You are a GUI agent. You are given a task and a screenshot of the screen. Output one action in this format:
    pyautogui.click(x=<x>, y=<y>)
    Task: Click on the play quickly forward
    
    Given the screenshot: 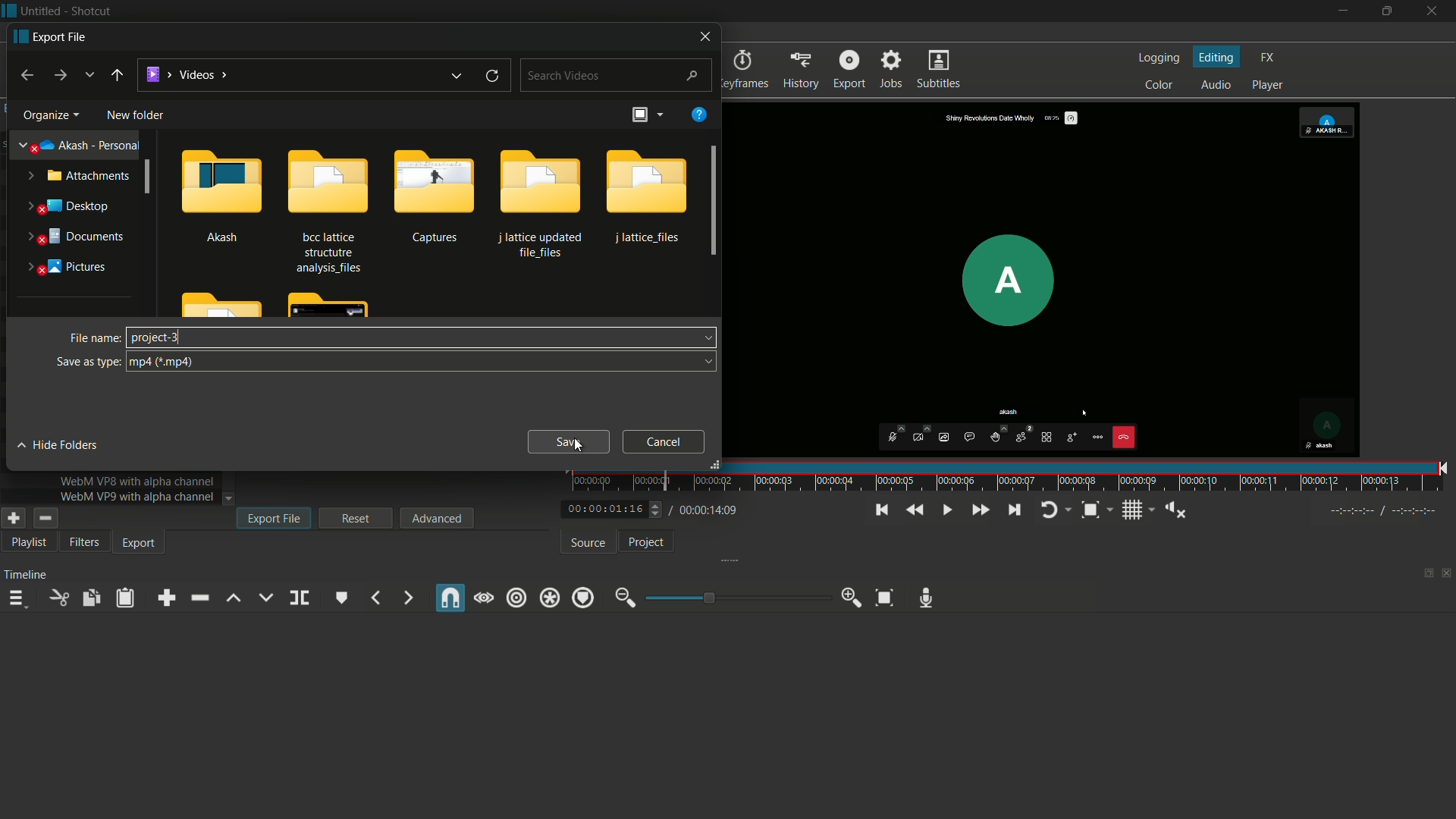 What is the action you would take?
    pyautogui.click(x=979, y=510)
    